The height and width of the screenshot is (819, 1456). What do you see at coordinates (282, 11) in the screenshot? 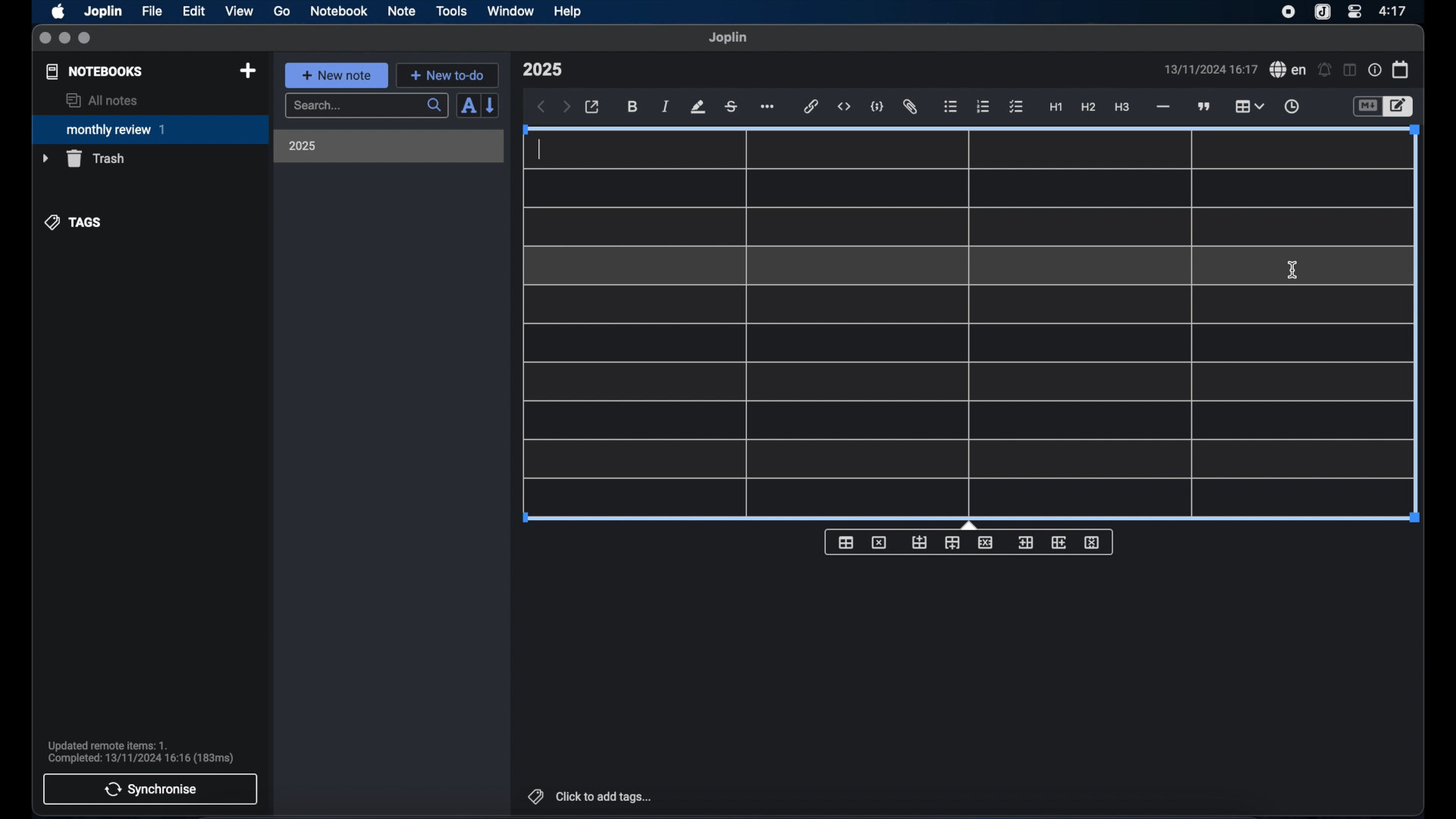
I see `go` at bounding box center [282, 11].